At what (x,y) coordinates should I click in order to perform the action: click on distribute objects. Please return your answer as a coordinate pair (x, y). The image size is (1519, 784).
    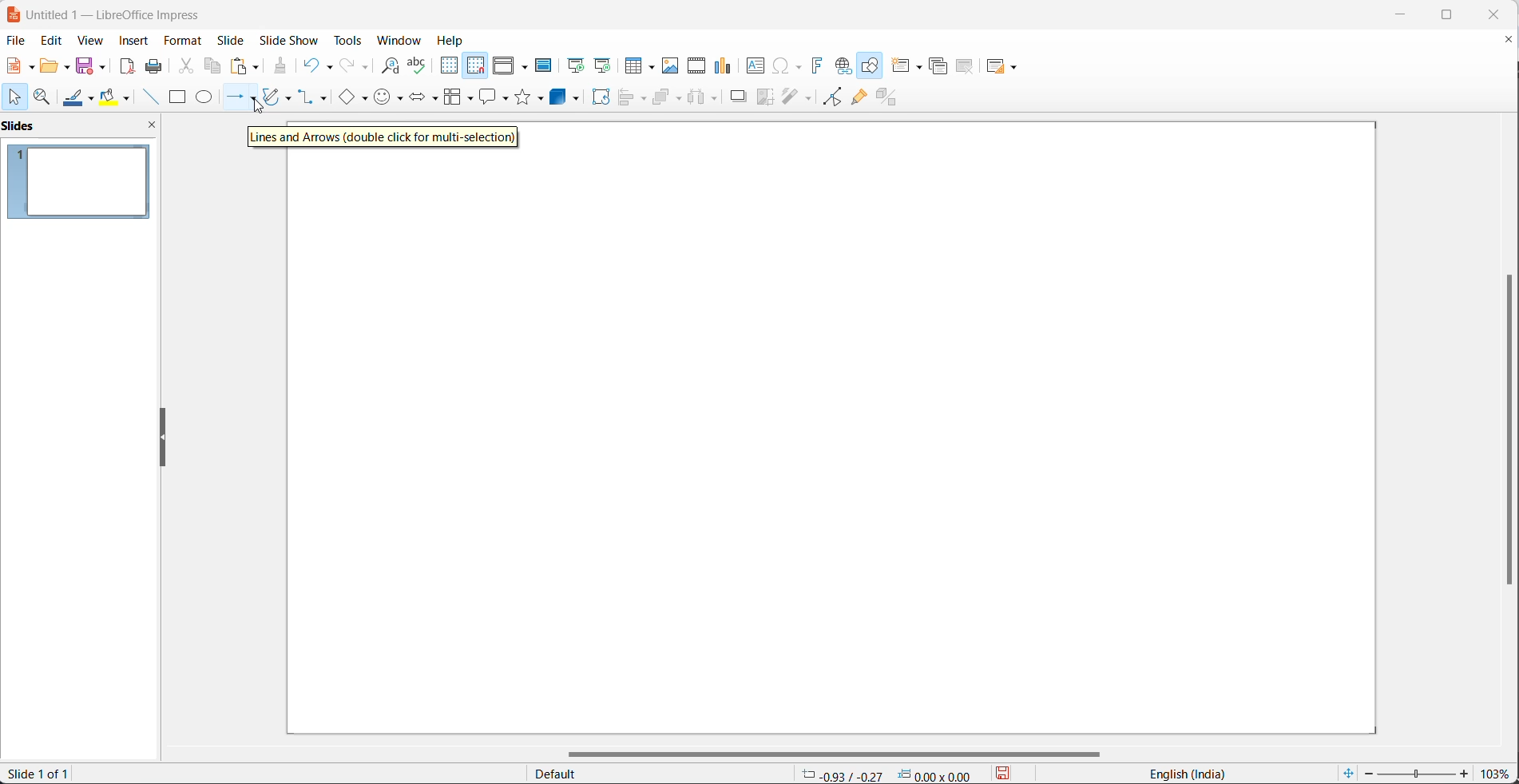
    Looking at the image, I should click on (704, 99).